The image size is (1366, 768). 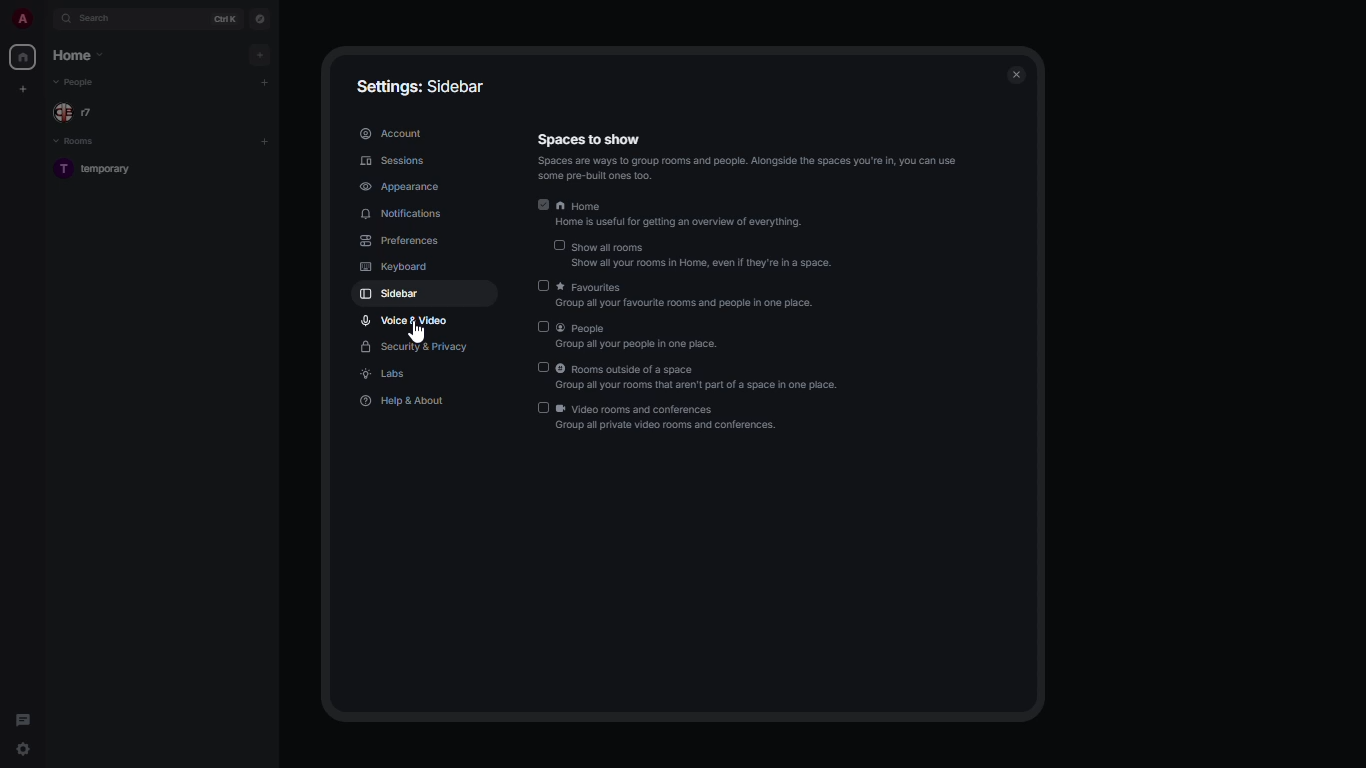 What do you see at coordinates (260, 19) in the screenshot?
I see `navigator` at bounding box center [260, 19].